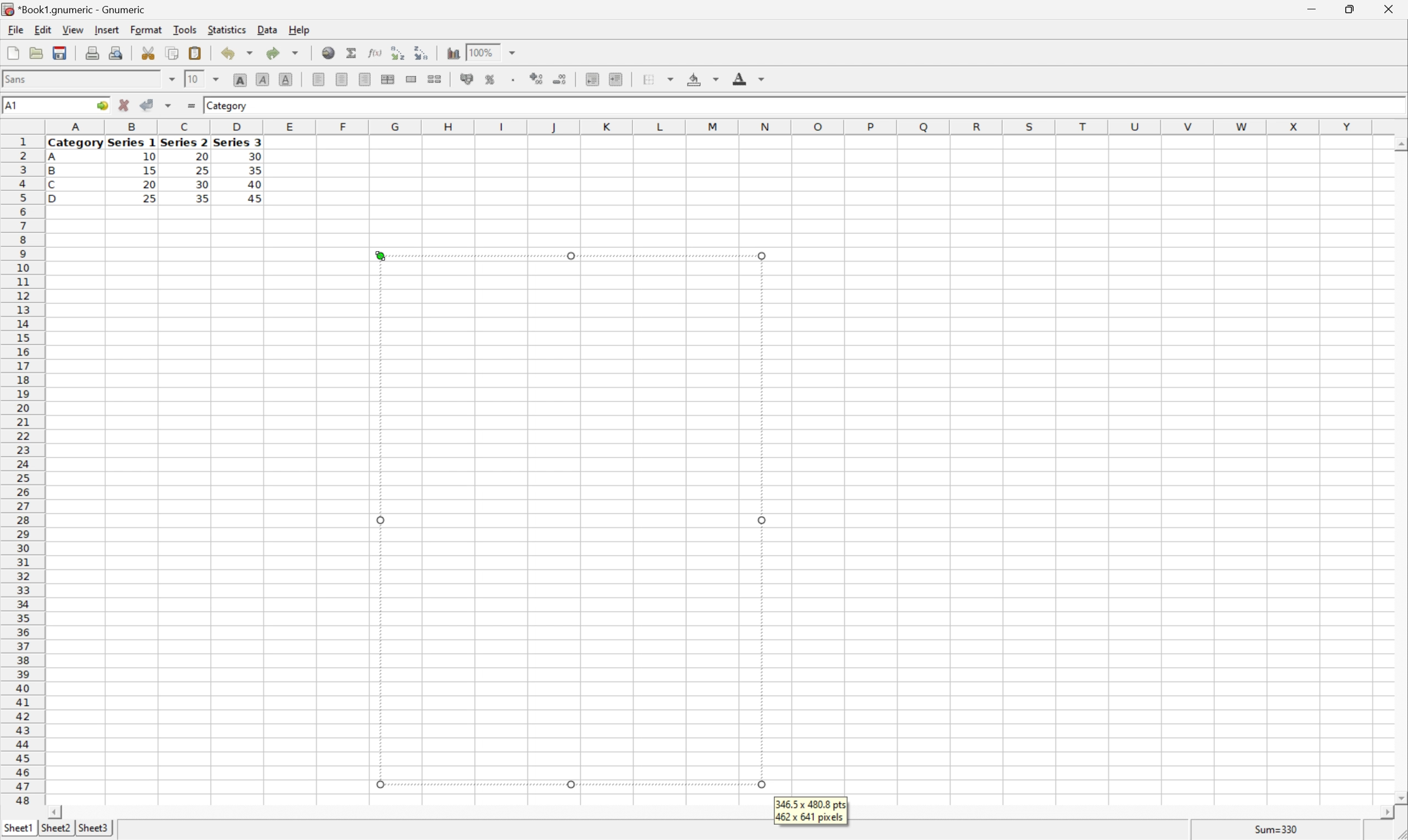 This screenshot has width=1408, height=840. Describe the element at coordinates (149, 53) in the screenshot. I see `Cut selection` at that location.